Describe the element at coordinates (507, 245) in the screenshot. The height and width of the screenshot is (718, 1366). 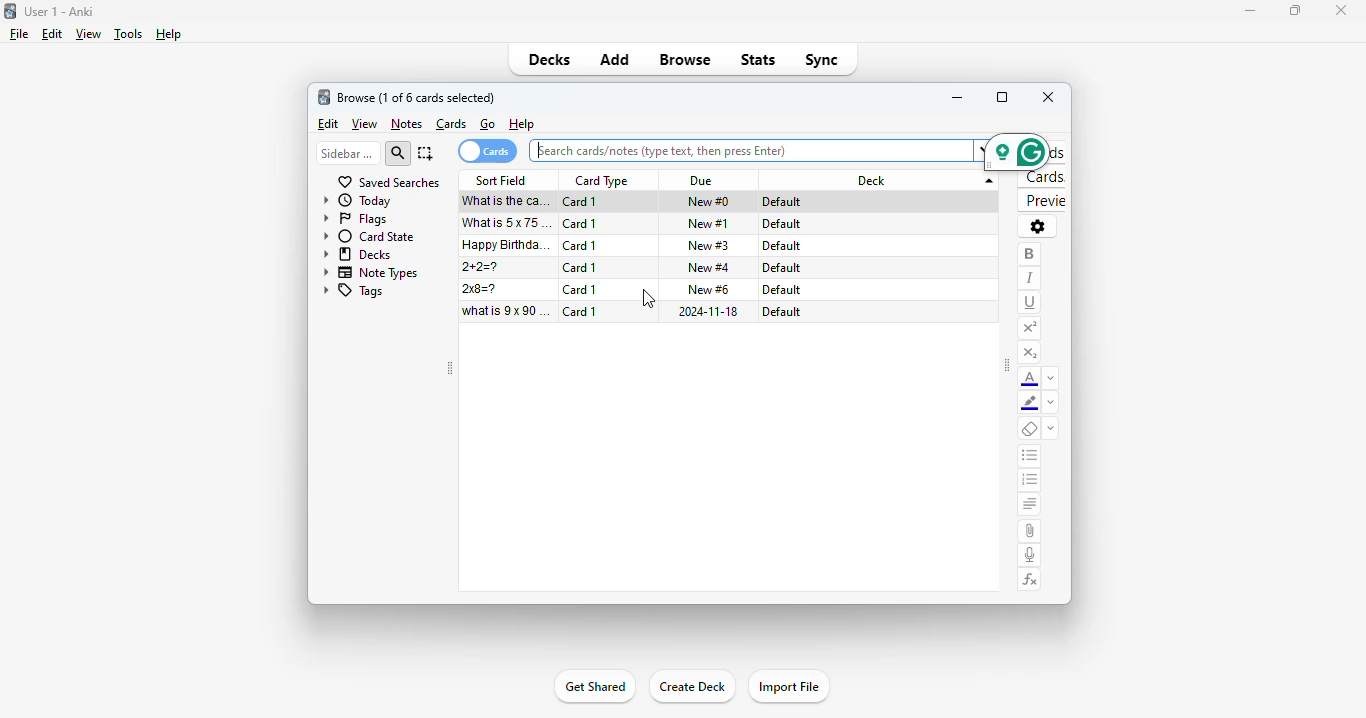
I see `happy birthday song!!!.mp3` at that location.